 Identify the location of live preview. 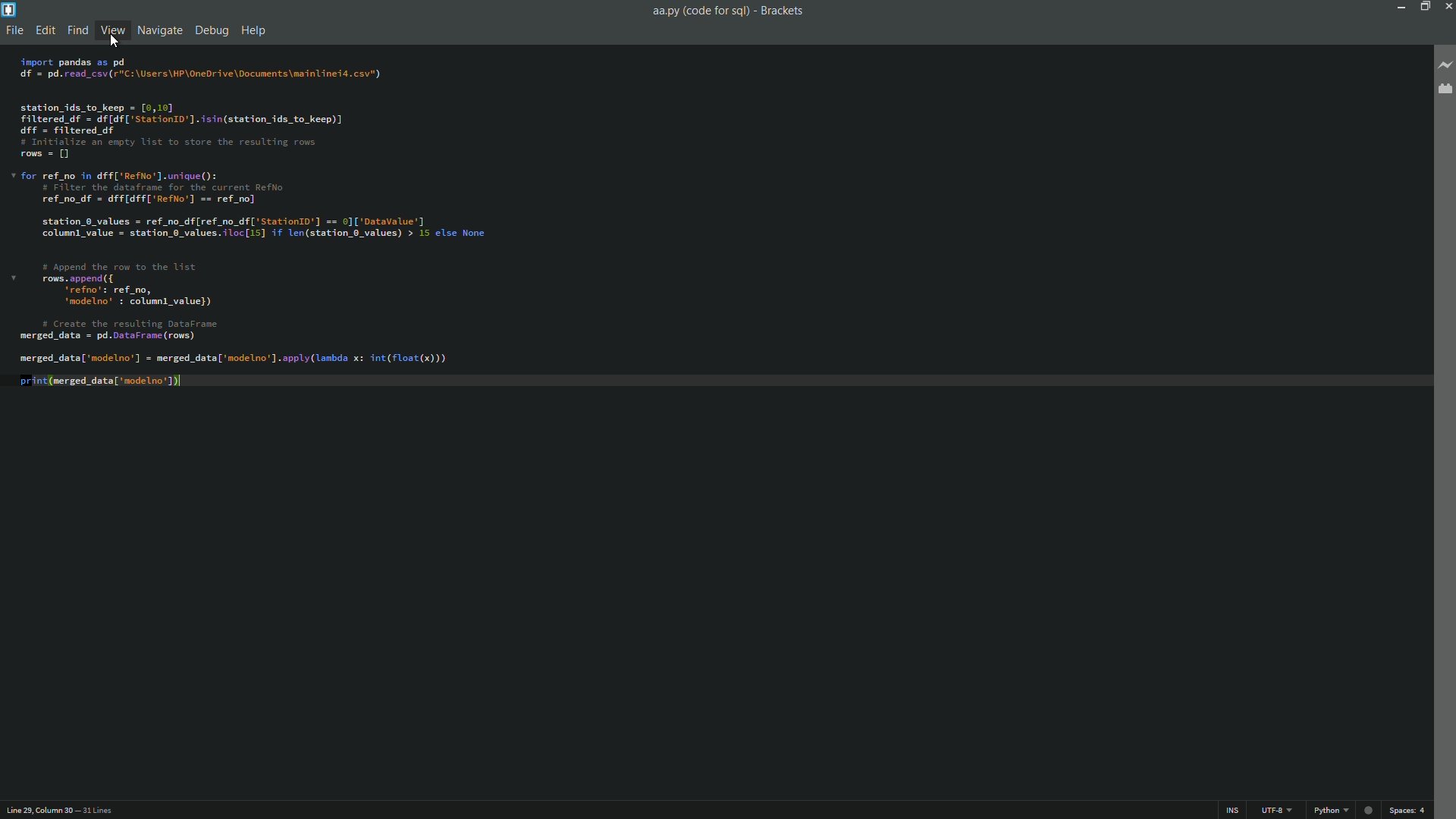
(1445, 63).